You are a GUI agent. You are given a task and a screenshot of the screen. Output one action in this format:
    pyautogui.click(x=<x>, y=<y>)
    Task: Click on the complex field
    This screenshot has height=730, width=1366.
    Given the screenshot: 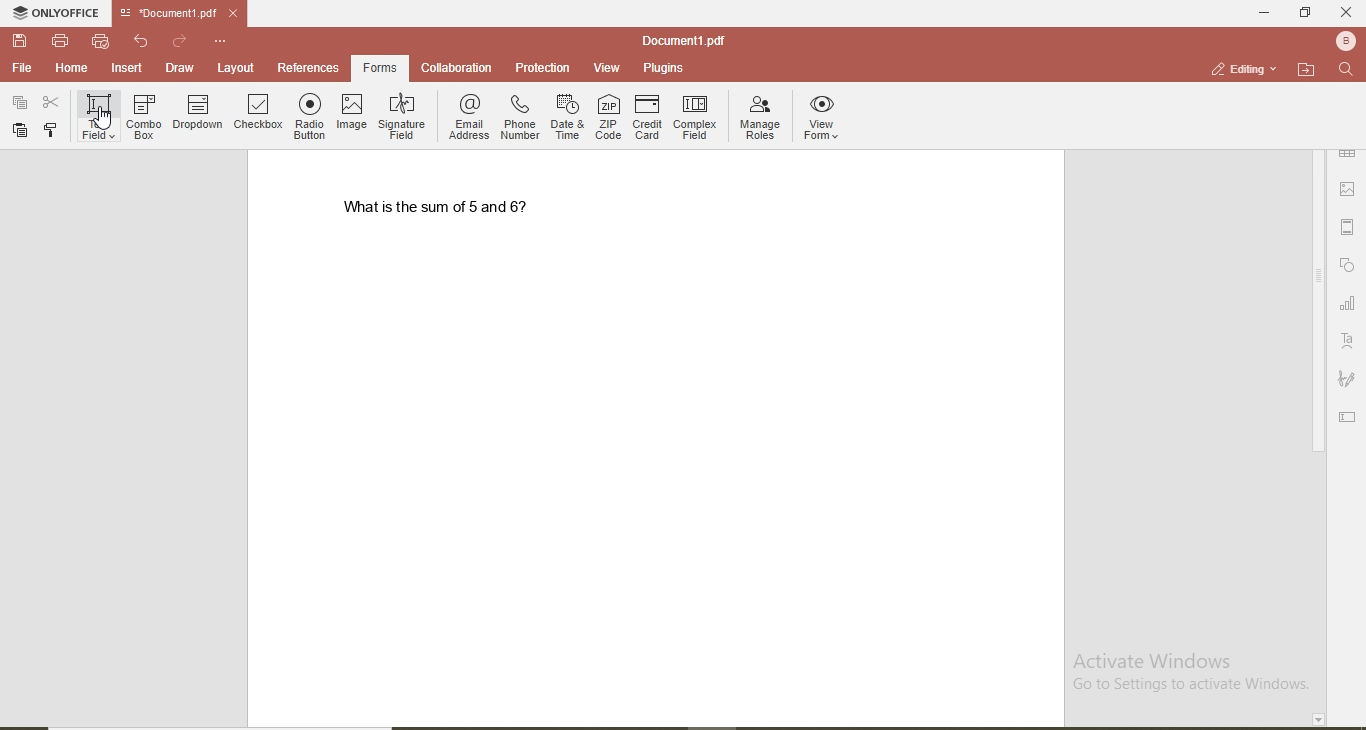 What is the action you would take?
    pyautogui.click(x=699, y=118)
    